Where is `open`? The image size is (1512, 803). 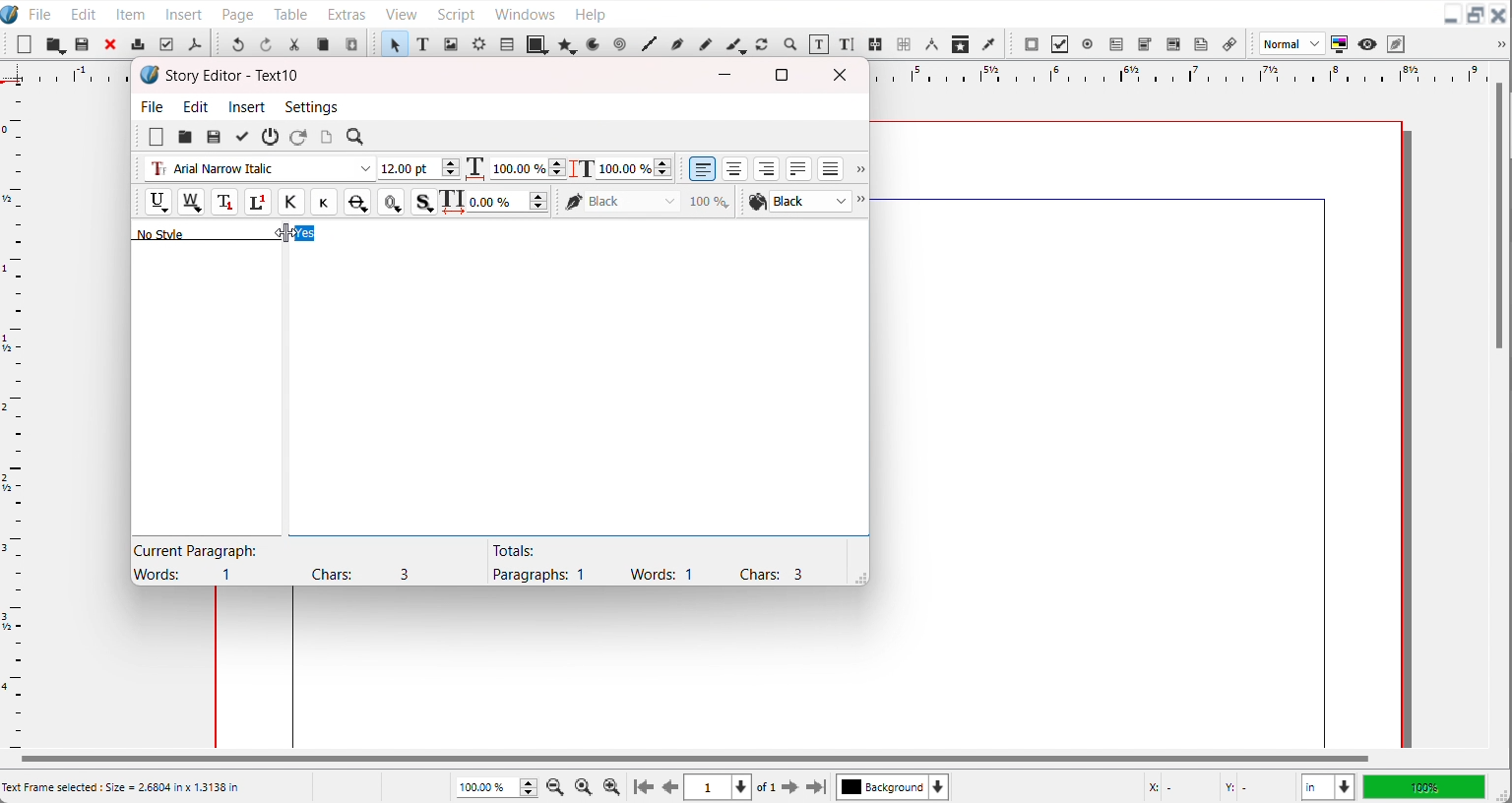
open is located at coordinates (184, 138).